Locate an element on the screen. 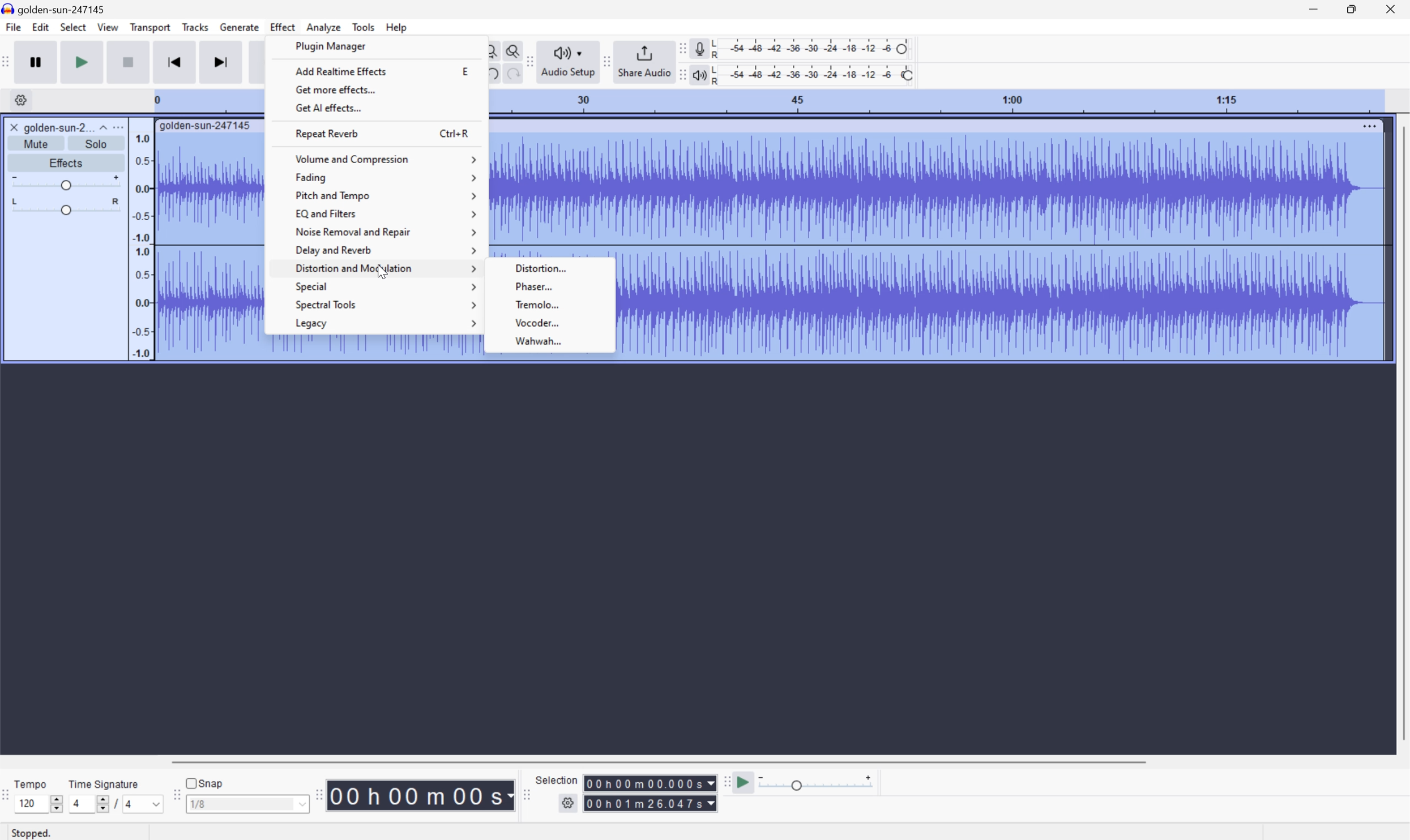  Playback level: 100% is located at coordinates (814, 74).